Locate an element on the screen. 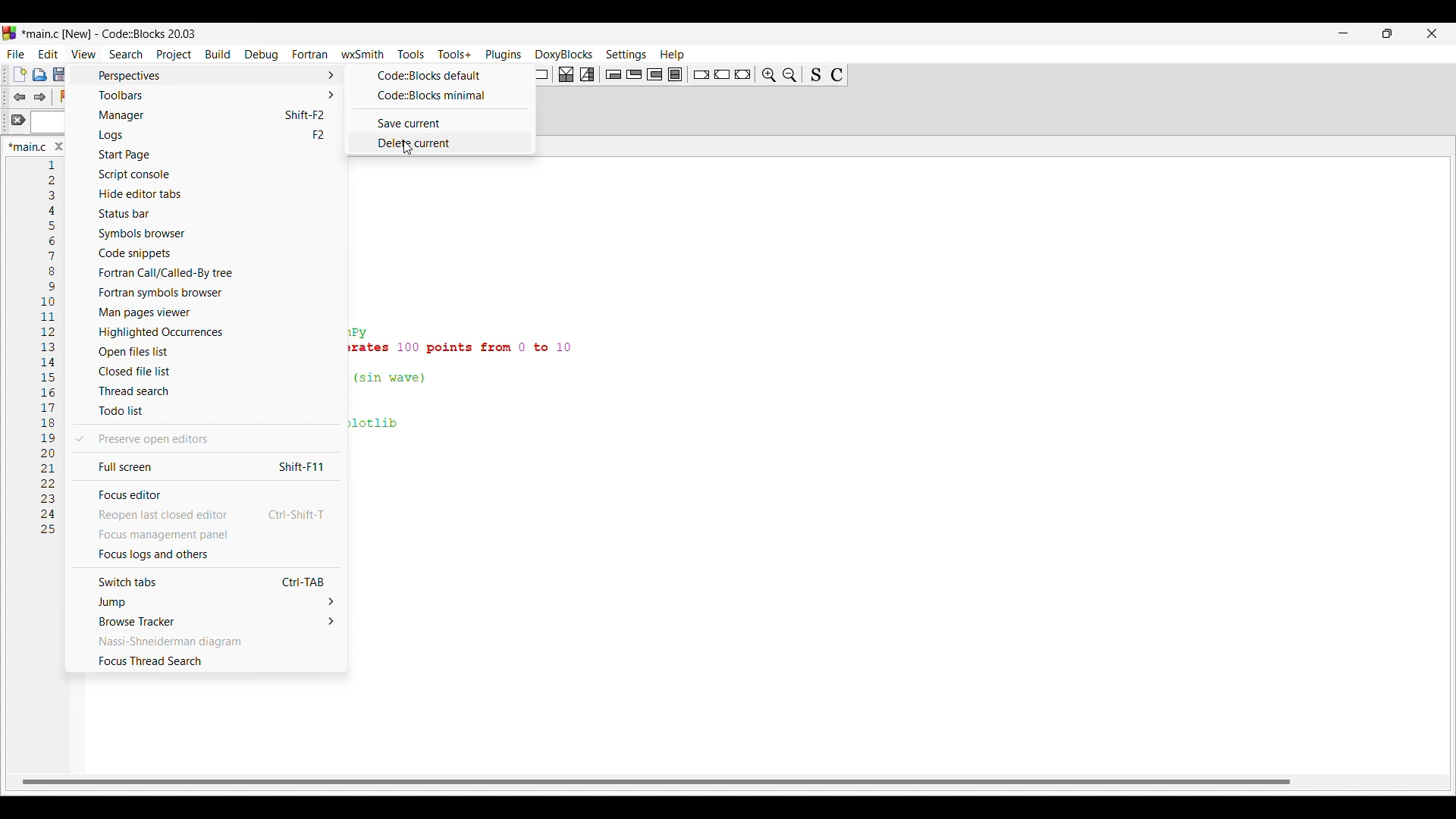  Man pages viewer is located at coordinates (209, 312).